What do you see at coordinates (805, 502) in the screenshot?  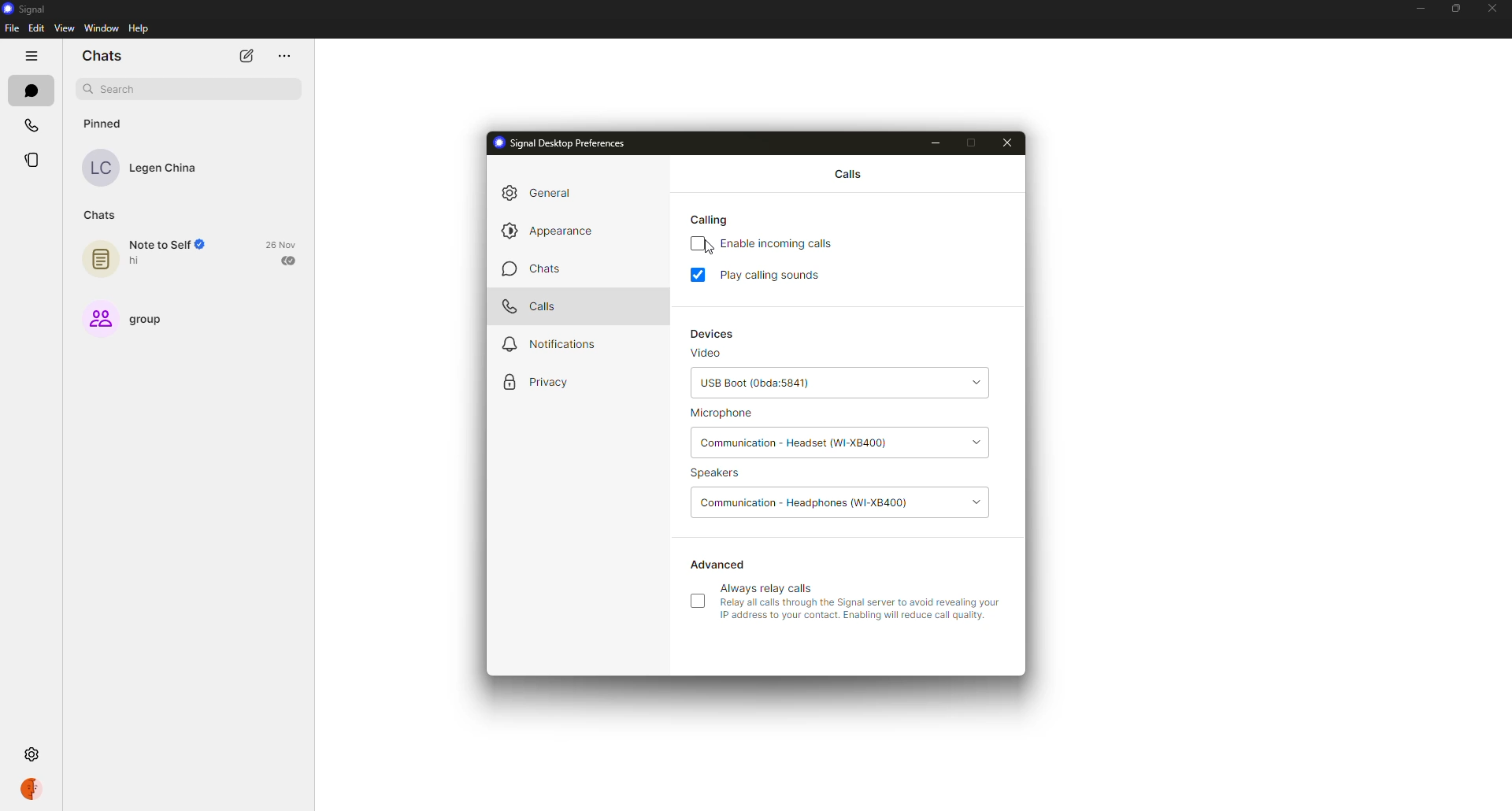 I see `headphones` at bounding box center [805, 502].